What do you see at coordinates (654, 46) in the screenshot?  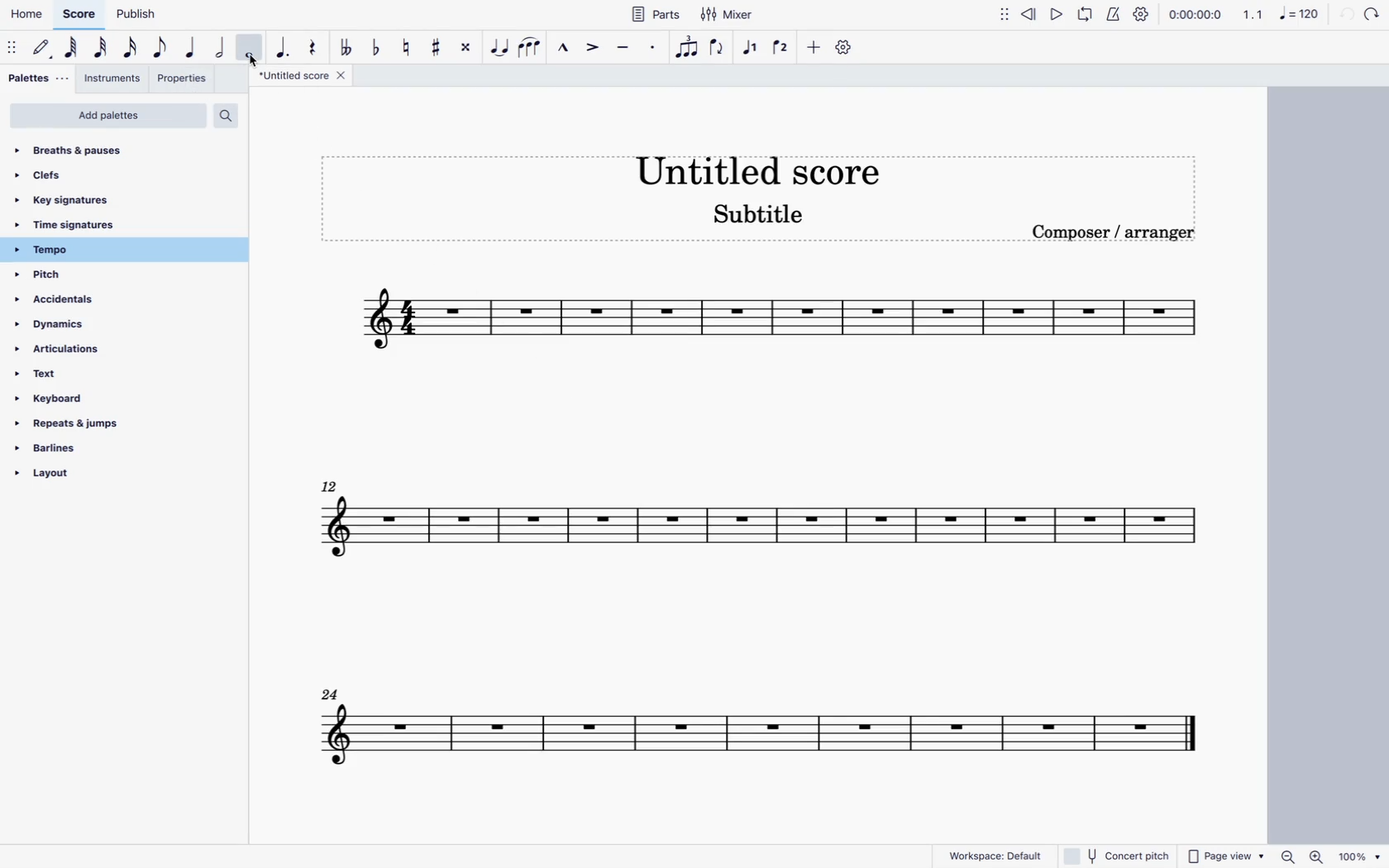 I see `staccato` at bounding box center [654, 46].